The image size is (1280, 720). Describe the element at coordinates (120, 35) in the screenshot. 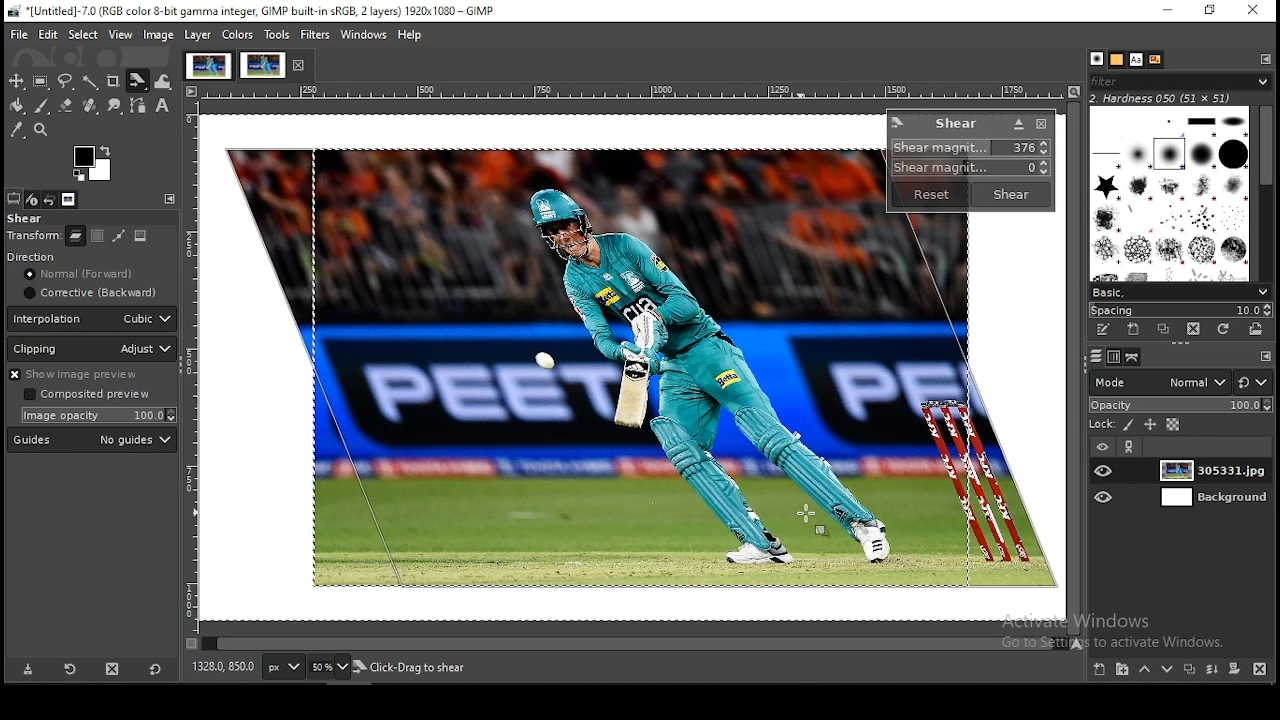

I see `view` at that location.